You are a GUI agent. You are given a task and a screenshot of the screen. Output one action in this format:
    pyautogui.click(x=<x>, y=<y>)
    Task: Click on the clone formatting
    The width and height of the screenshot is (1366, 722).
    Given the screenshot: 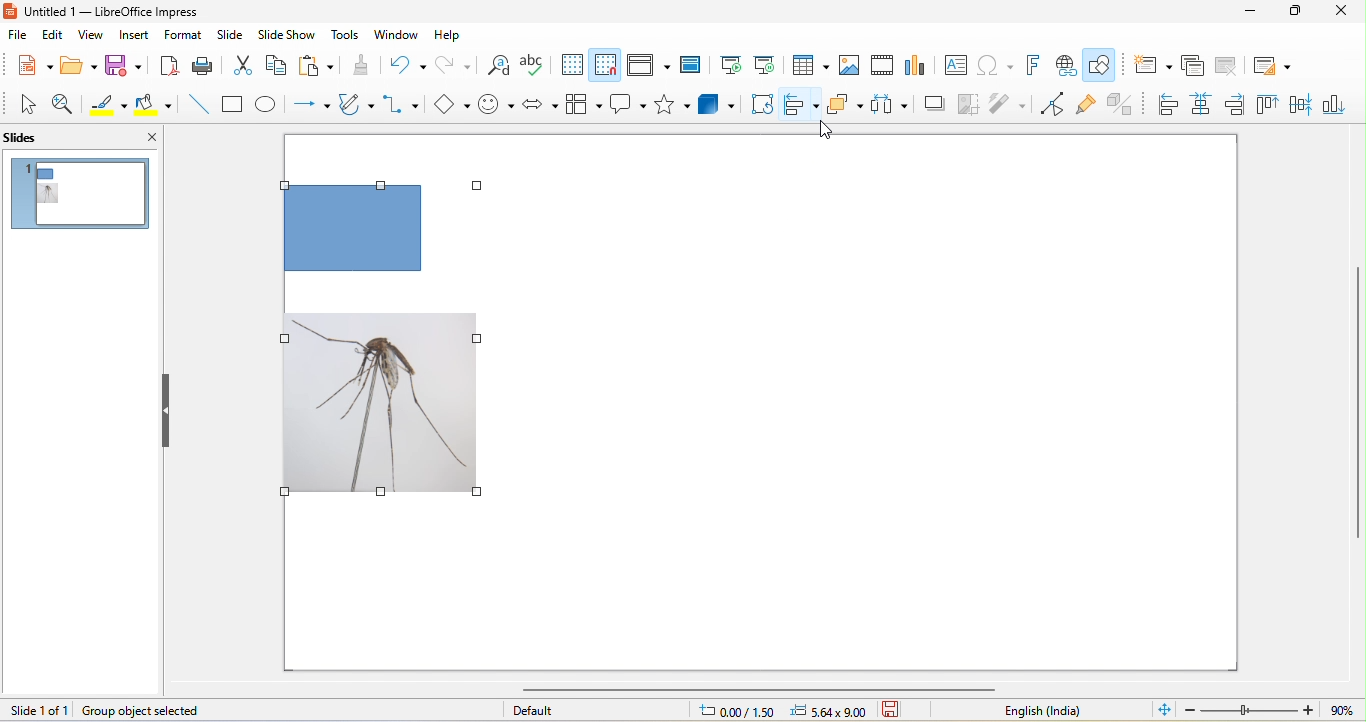 What is the action you would take?
    pyautogui.click(x=359, y=66)
    